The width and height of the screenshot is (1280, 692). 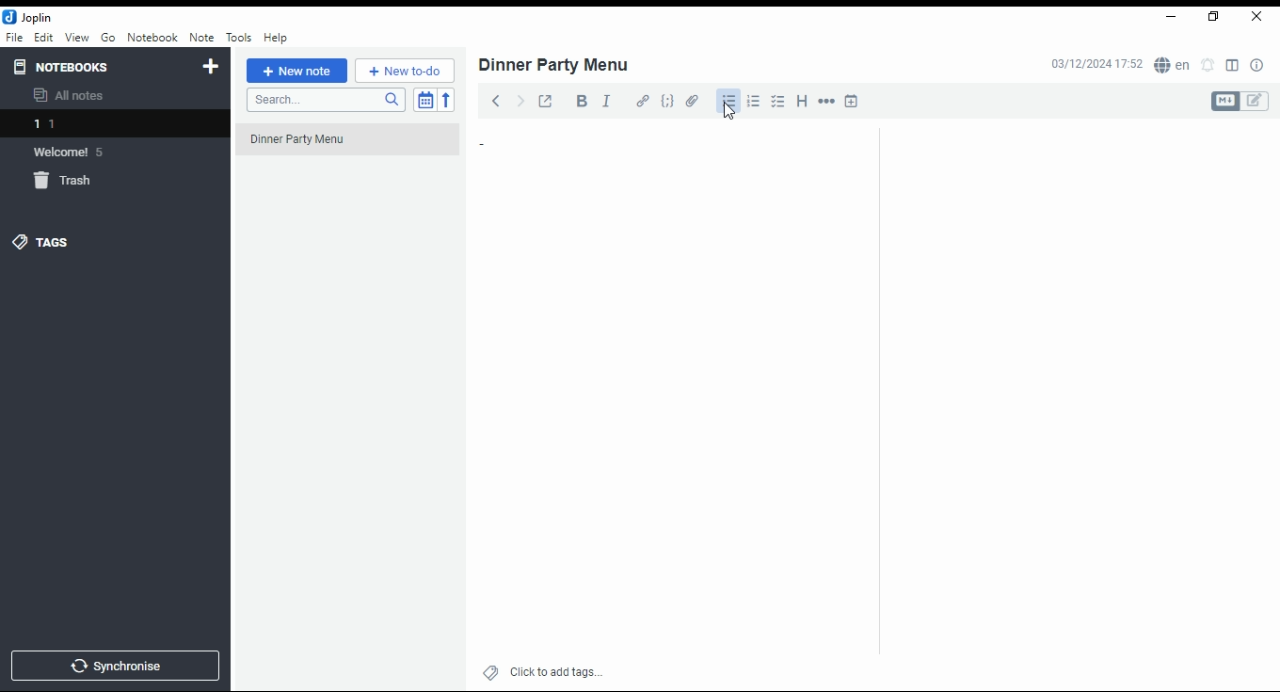 I want to click on tags, so click(x=55, y=242).